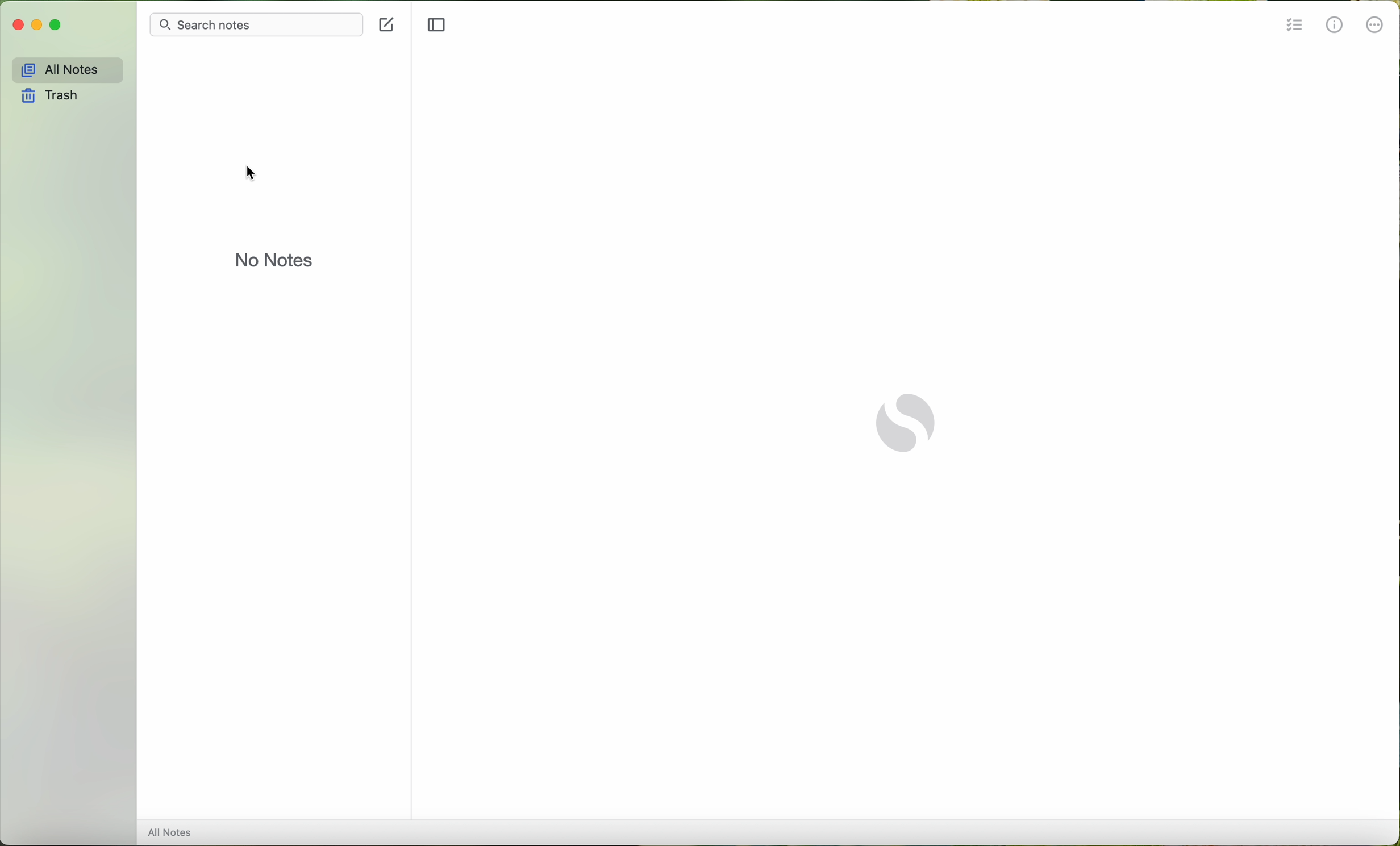  I want to click on cursor, so click(250, 172).